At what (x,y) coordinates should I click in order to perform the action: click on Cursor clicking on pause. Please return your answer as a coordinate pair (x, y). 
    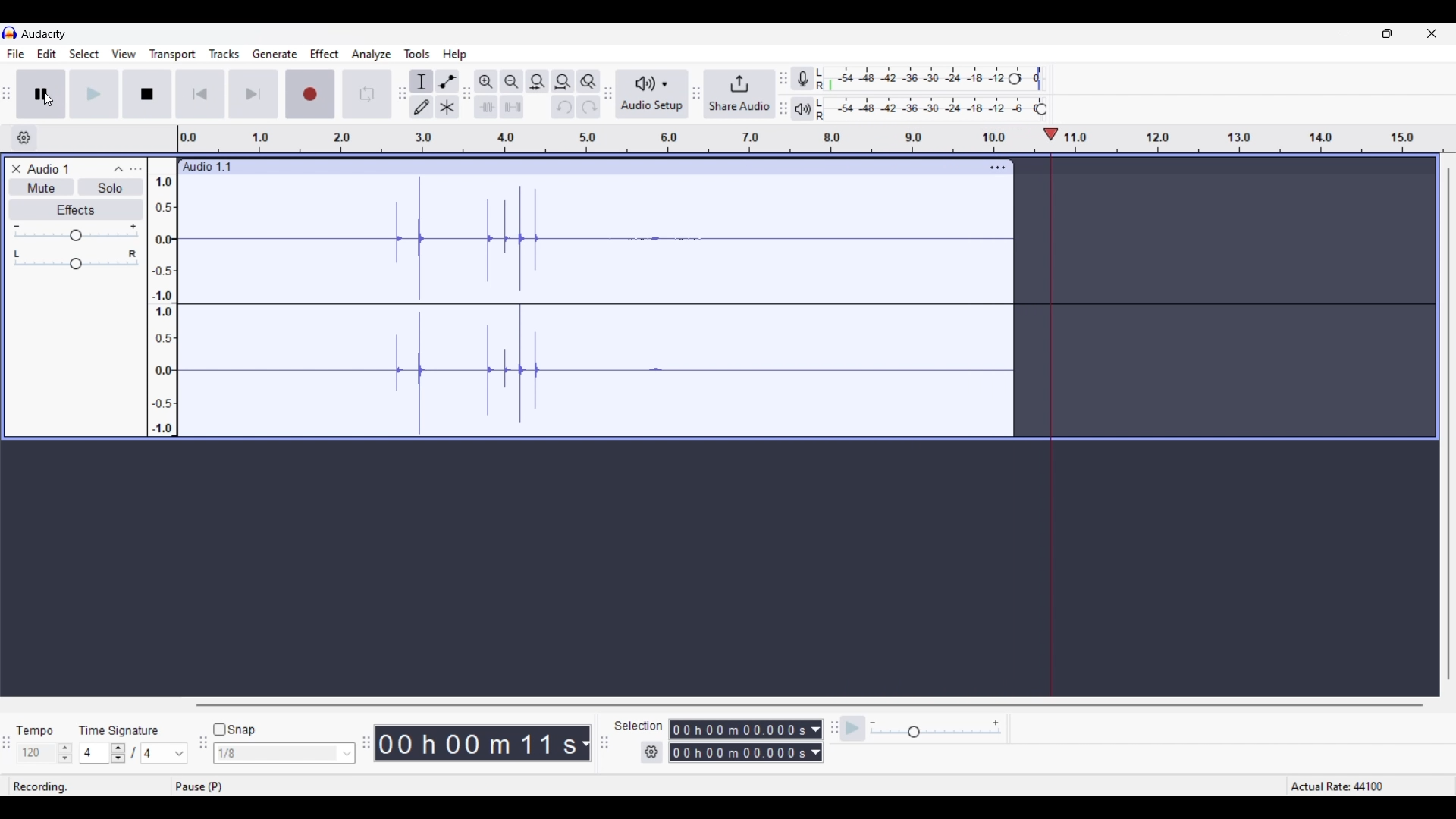
    Looking at the image, I should click on (48, 100).